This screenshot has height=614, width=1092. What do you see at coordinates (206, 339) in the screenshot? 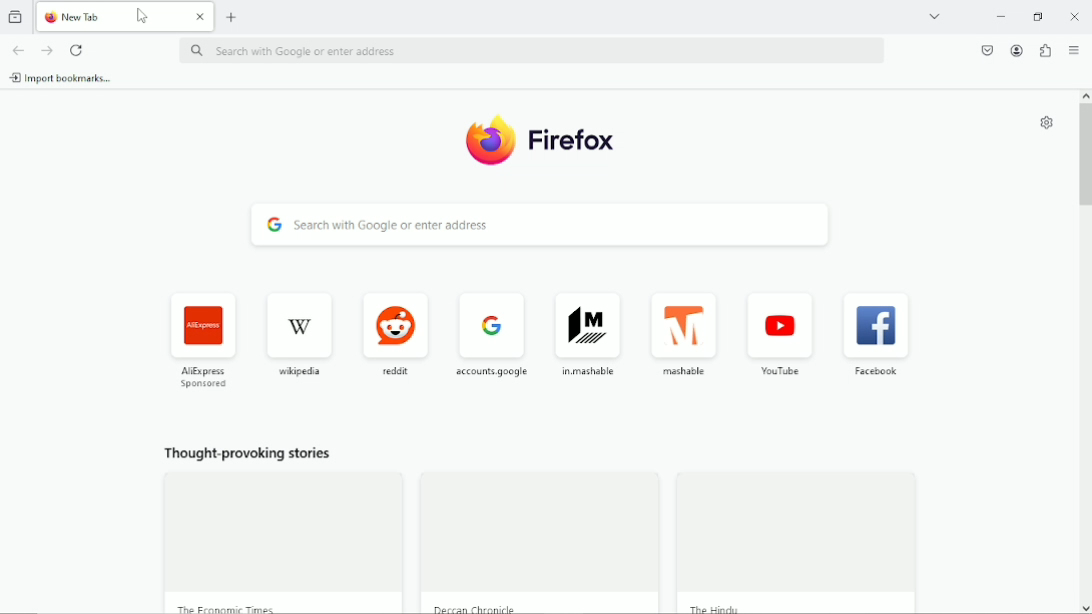
I see `AliExpress` at bounding box center [206, 339].